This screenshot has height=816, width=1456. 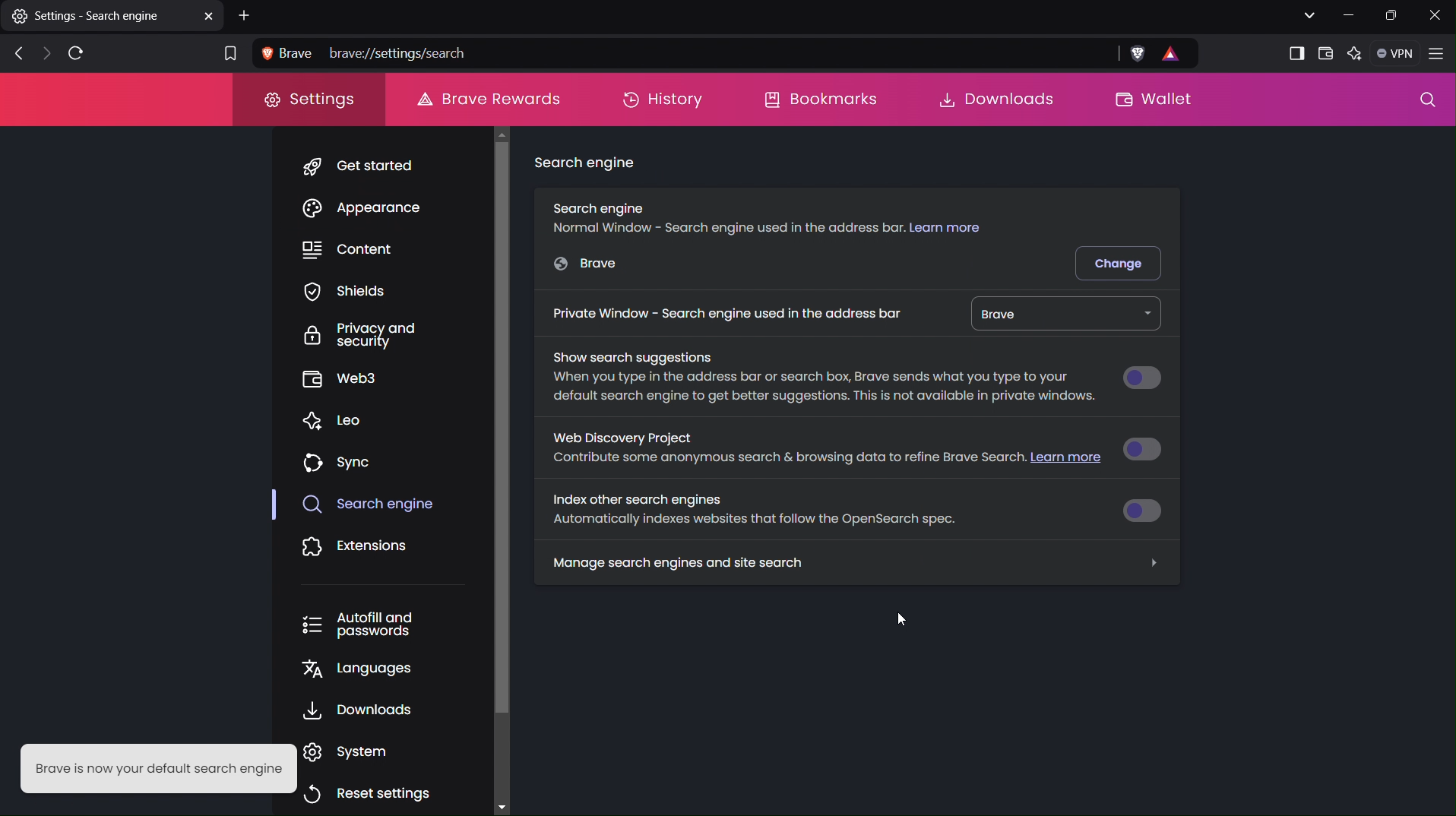 I want to click on Brave is now your default search engine, so click(x=156, y=767).